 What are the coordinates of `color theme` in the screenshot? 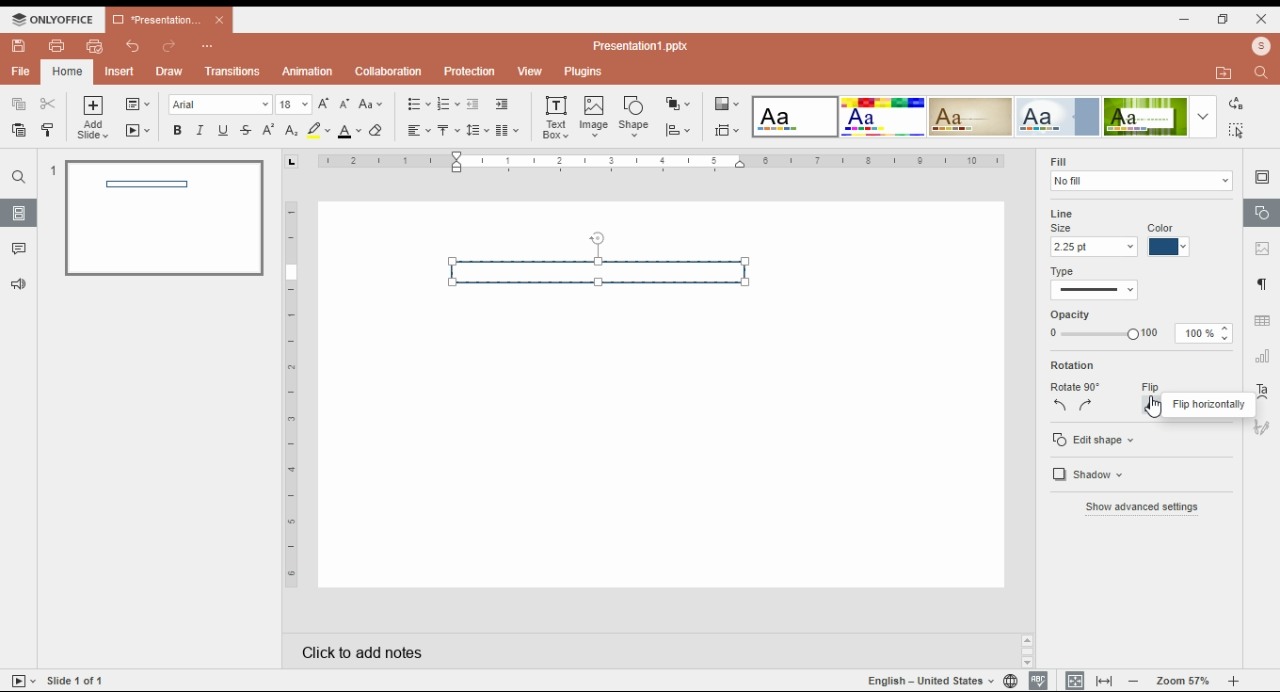 It's located at (795, 117).